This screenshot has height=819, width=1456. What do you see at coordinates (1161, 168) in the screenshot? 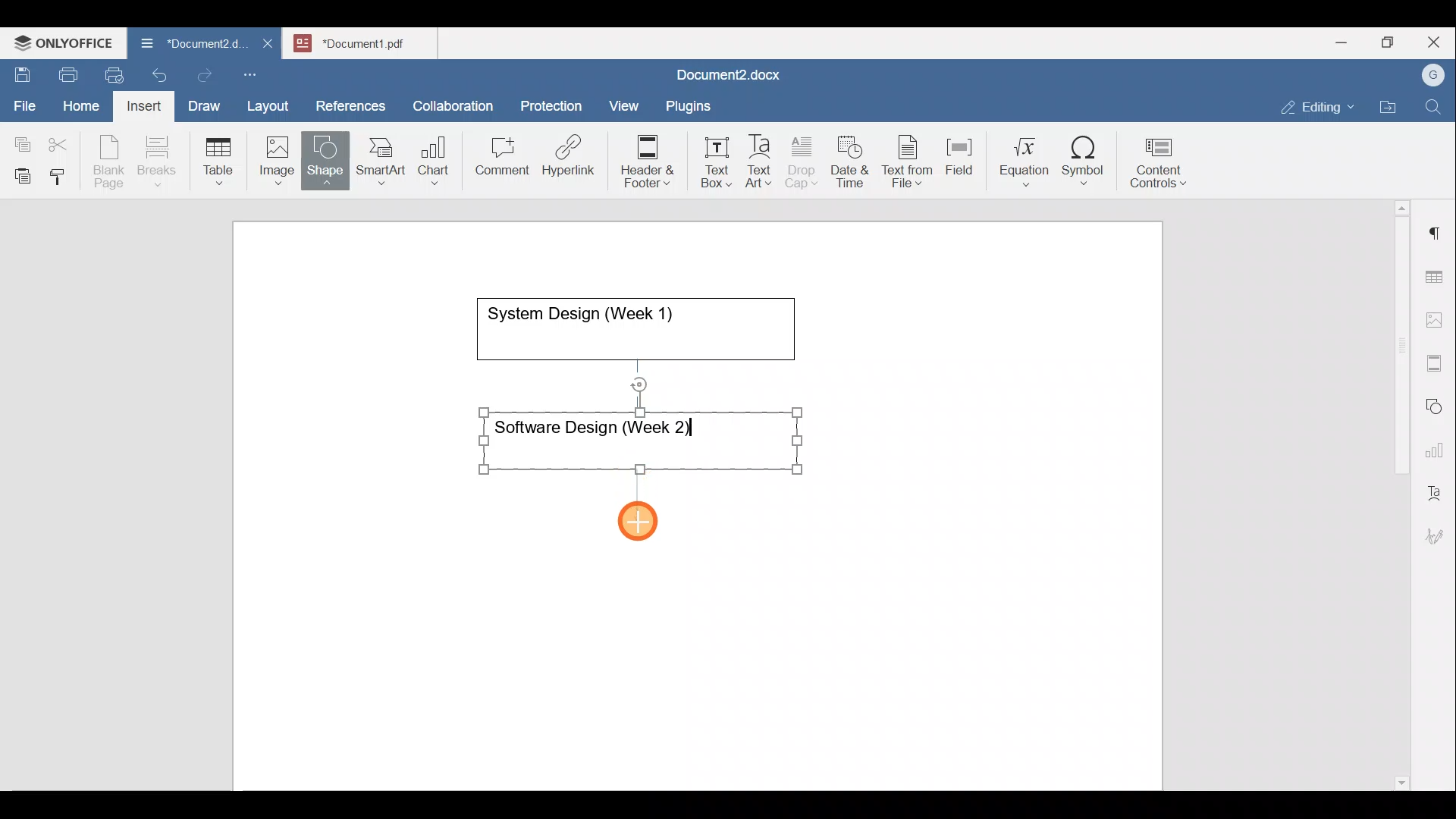
I see `Content controls` at bounding box center [1161, 168].